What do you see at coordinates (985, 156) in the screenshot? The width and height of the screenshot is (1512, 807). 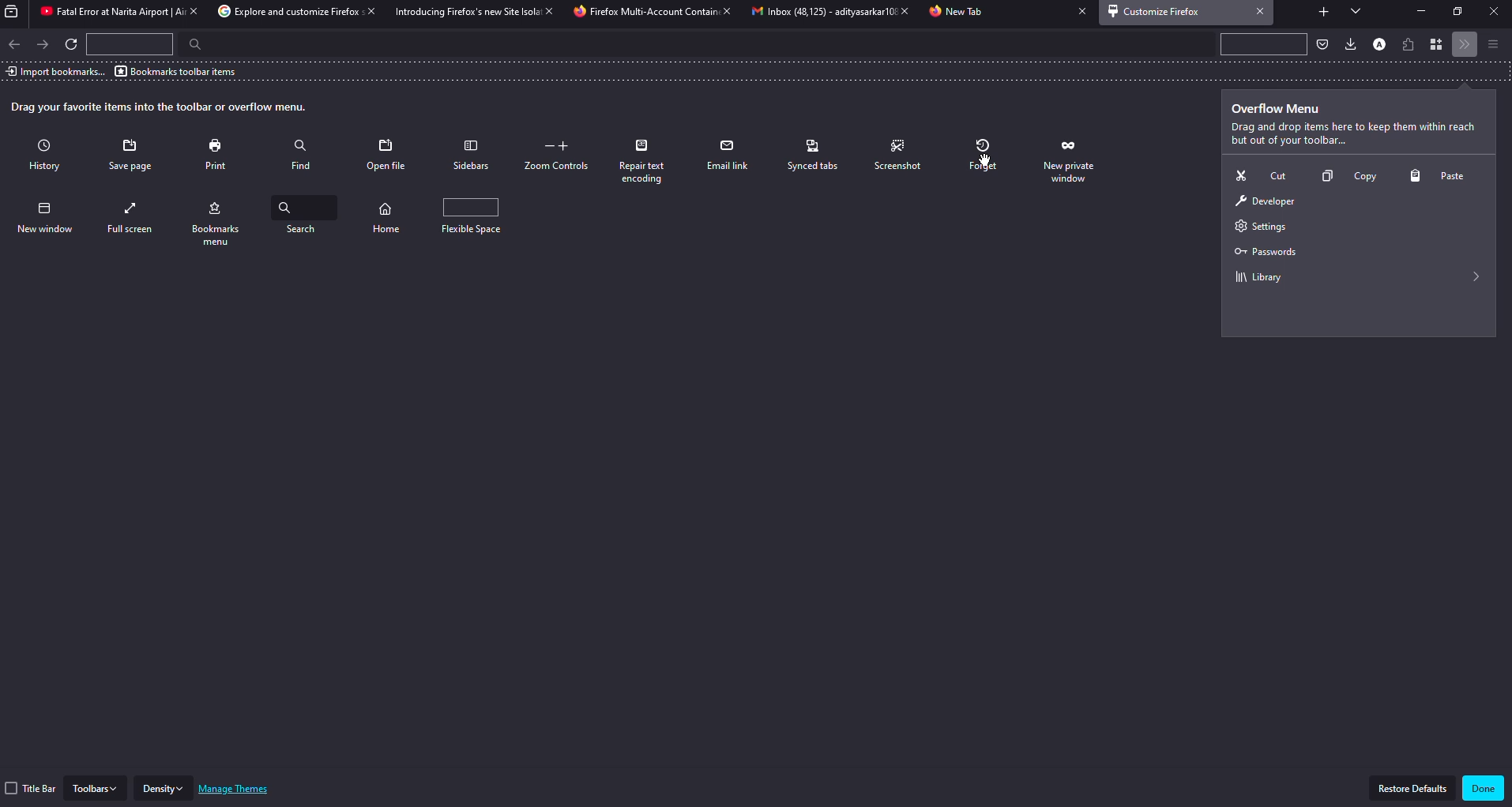 I see `forget` at bounding box center [985, 156].